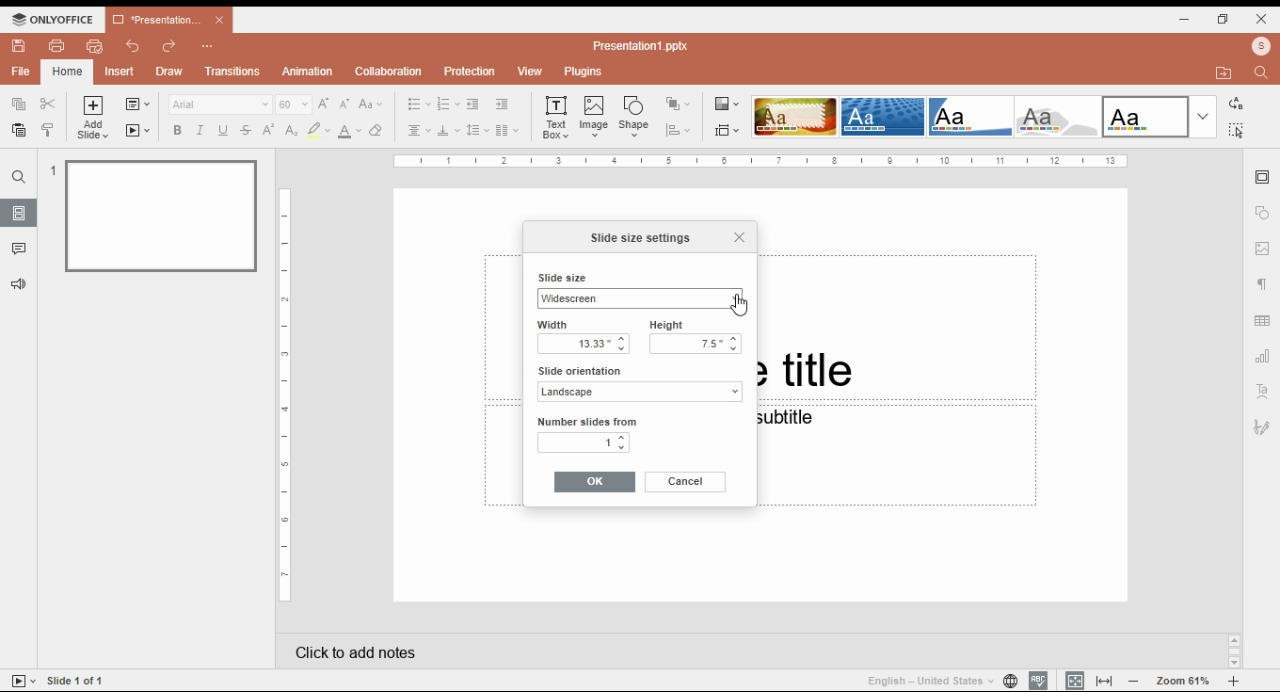 Image resolution: width=1280 pixels, height=692 pixels. Describe the element at coordinates (309, 71) in the screenshot. I see `animation` at that location.